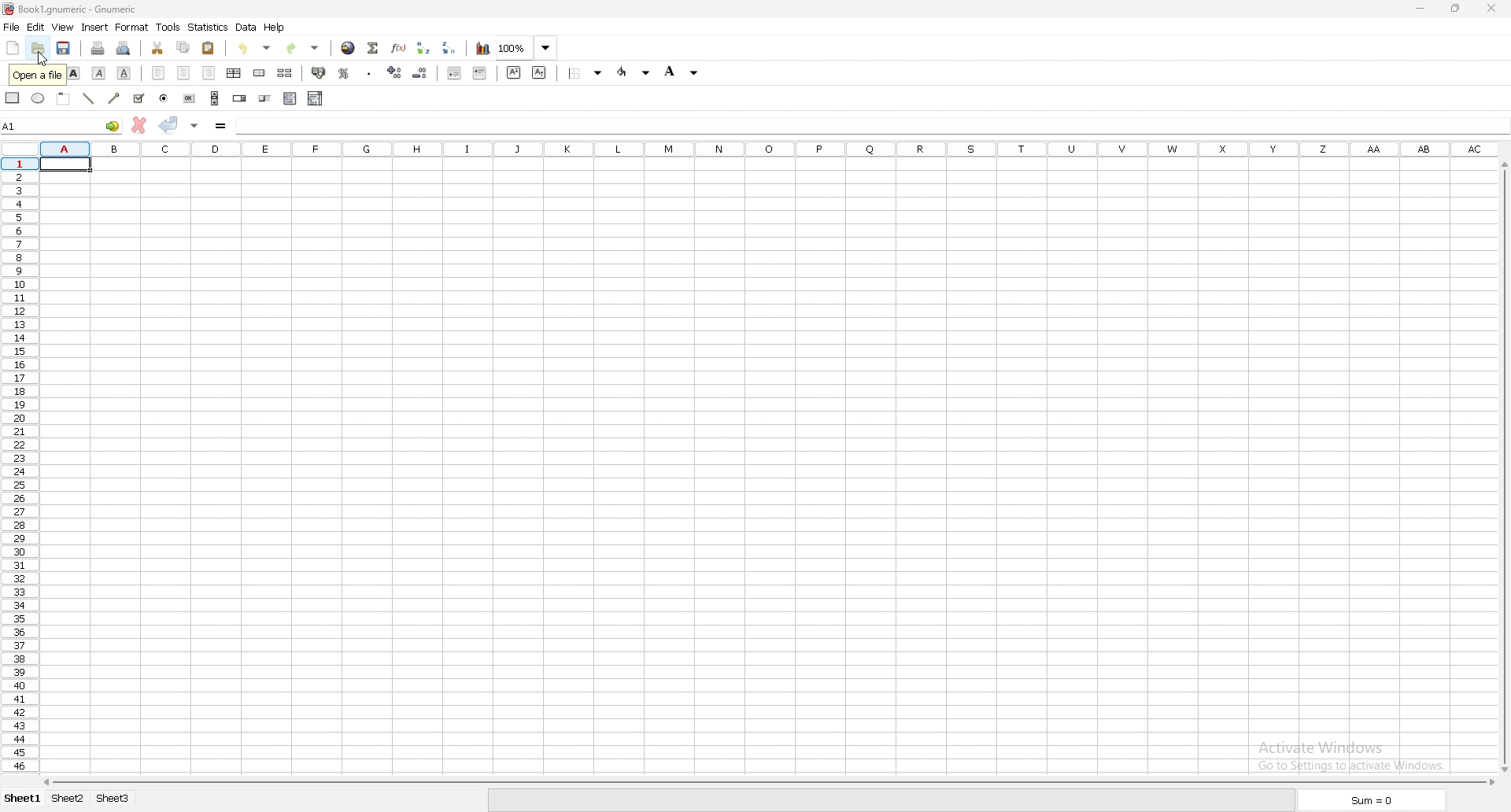 The image size is (1511, 812). I want to click on merge cell, so click(261, 73).